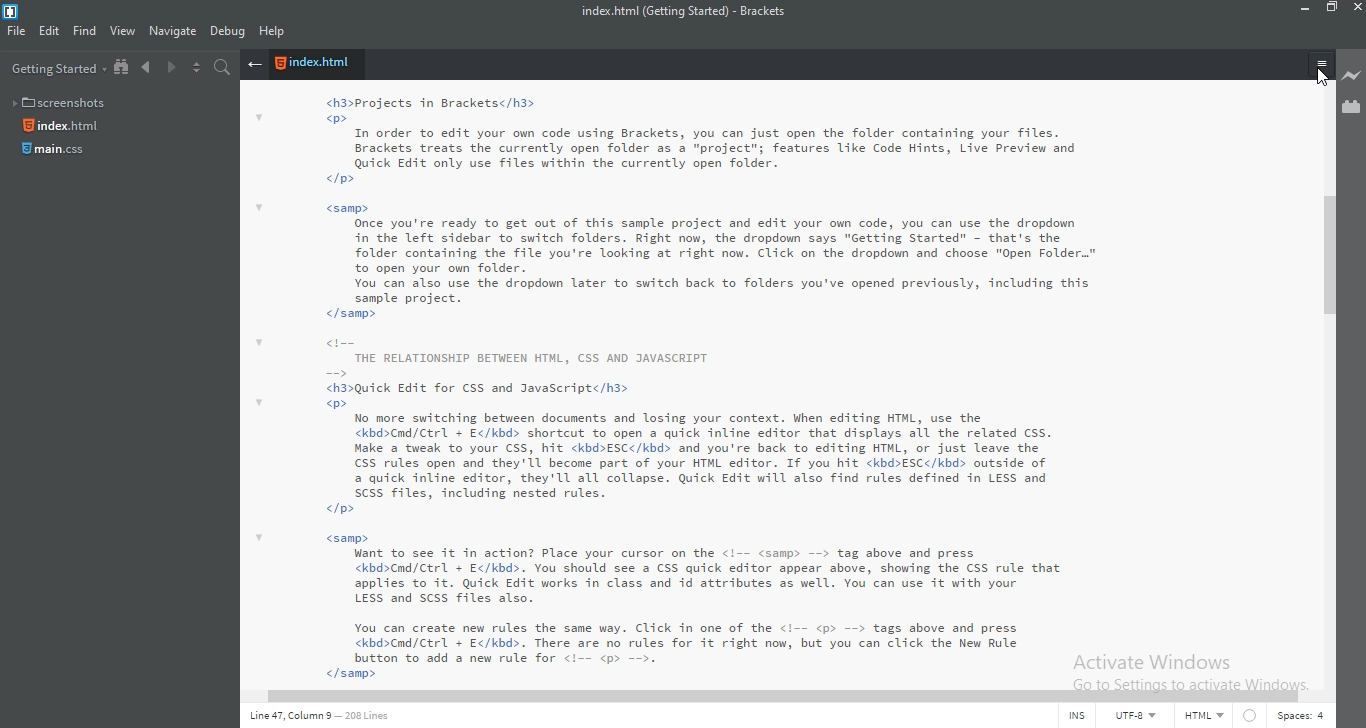 The width and height of the screenshot is (1366, 728). What do you see at coordinates (767, 693) in the screenshot?
I see `scroll bar` at bounding box center [767, 693].